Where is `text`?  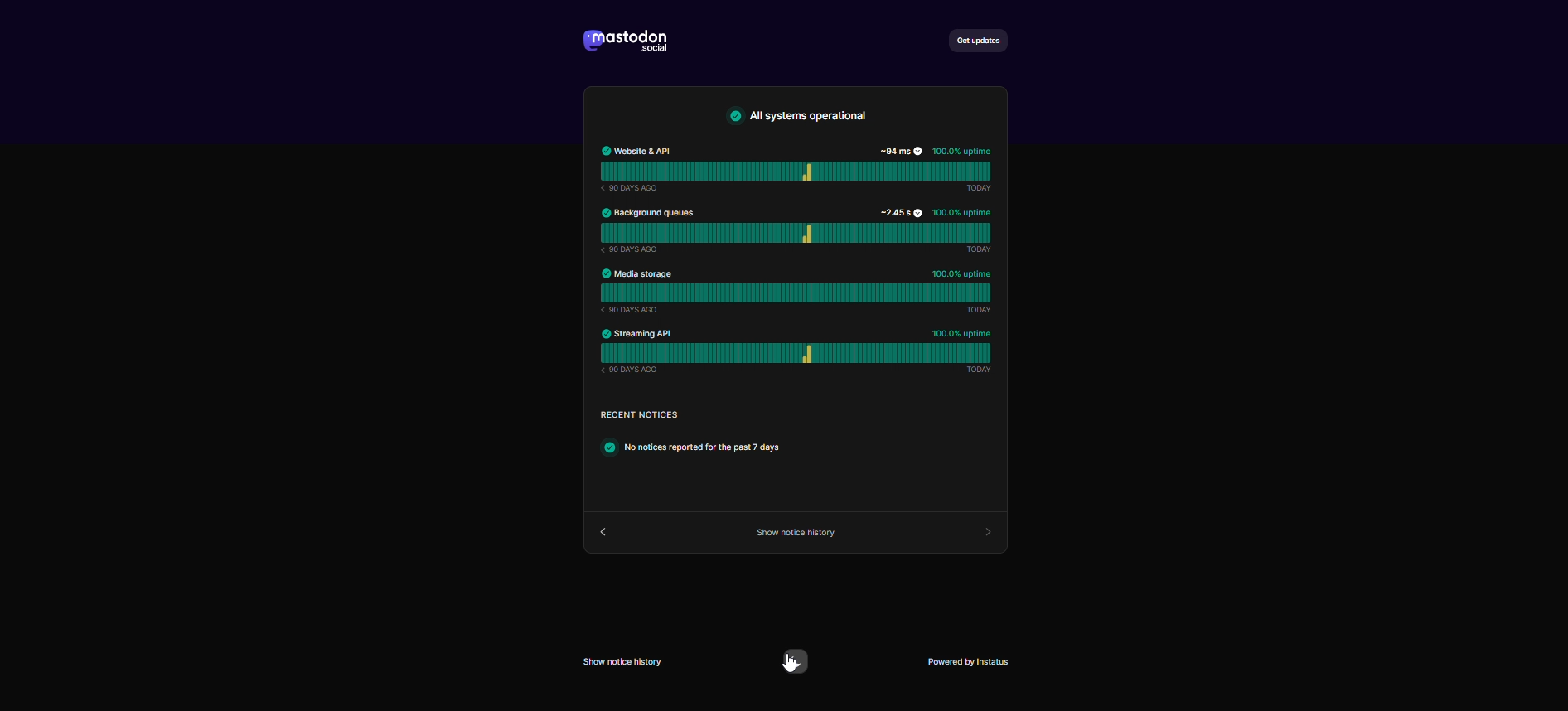
text is located at coordinates (806, 117).